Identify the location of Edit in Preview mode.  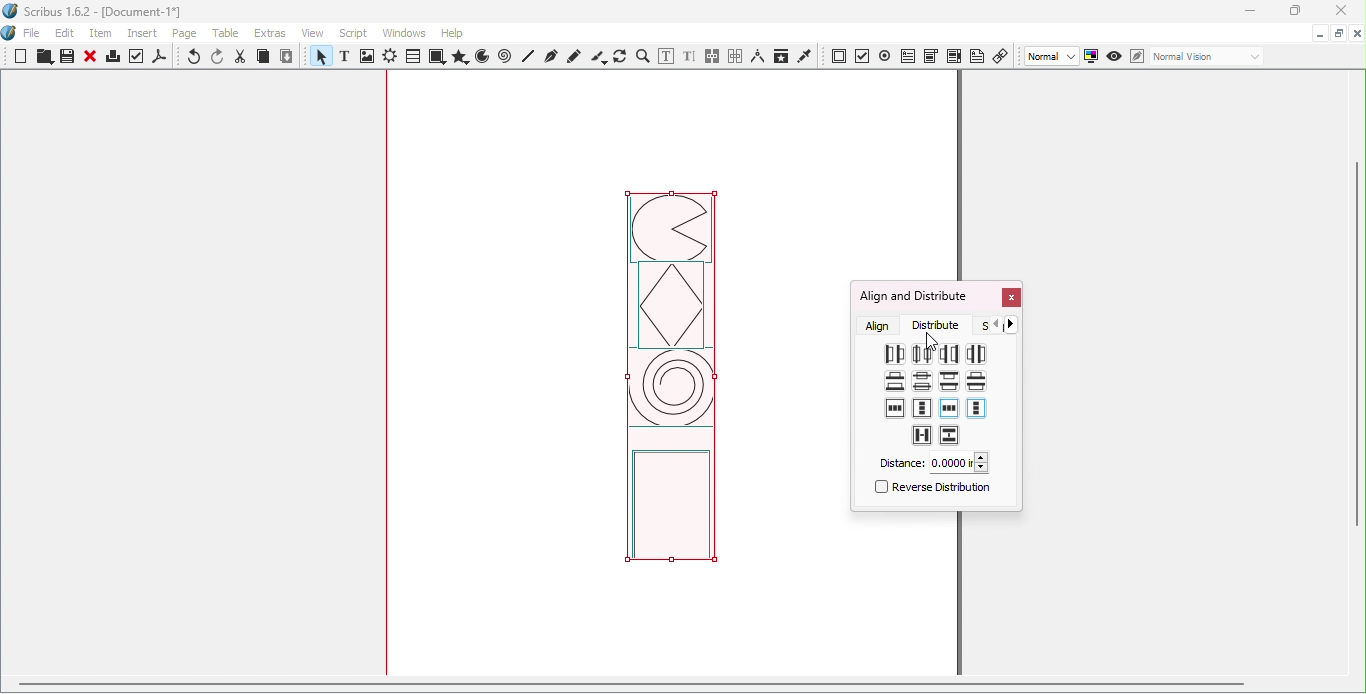
(1136, 55).